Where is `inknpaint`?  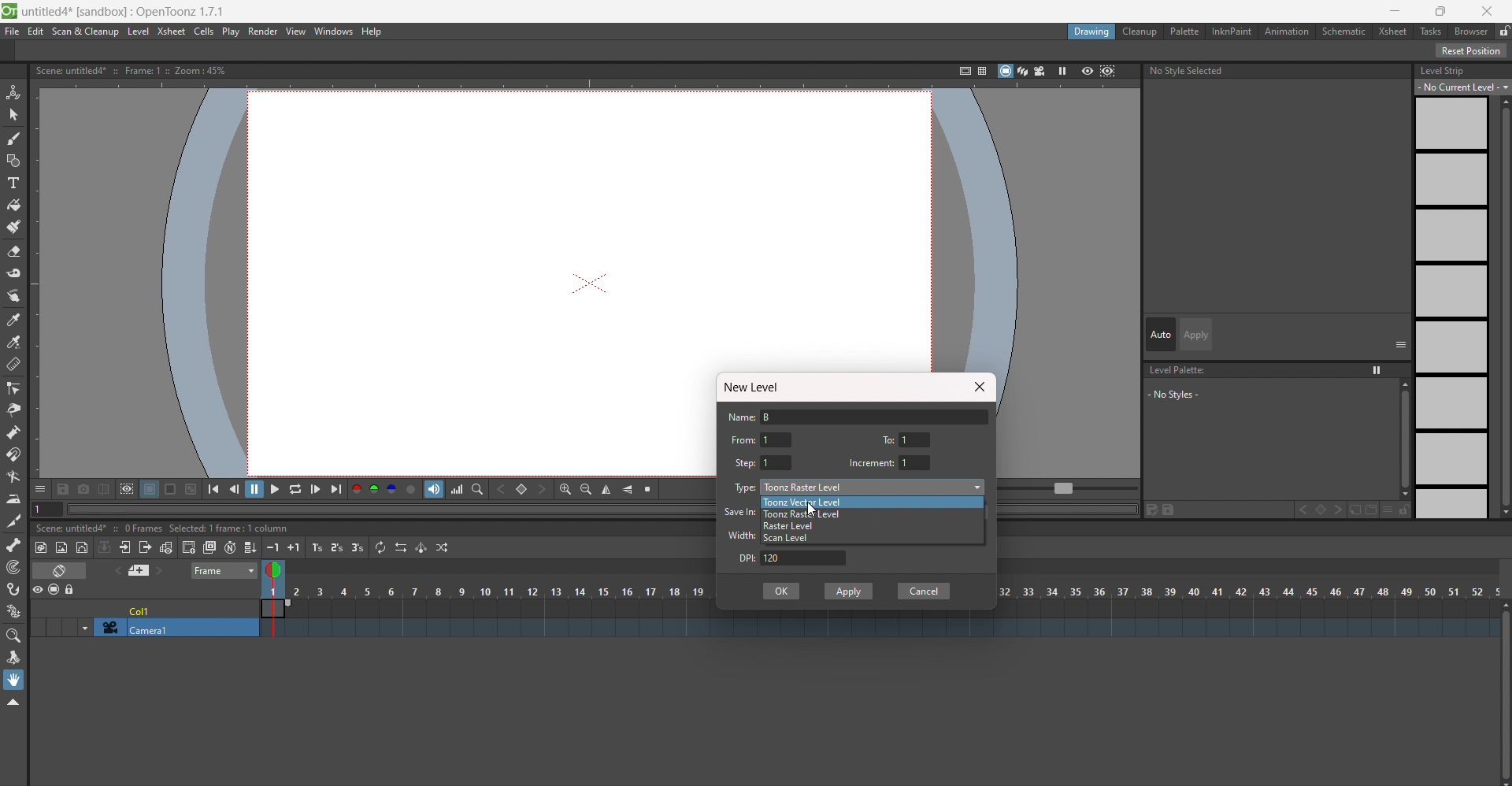
inknpaint is located at coordinates (1230, 32).